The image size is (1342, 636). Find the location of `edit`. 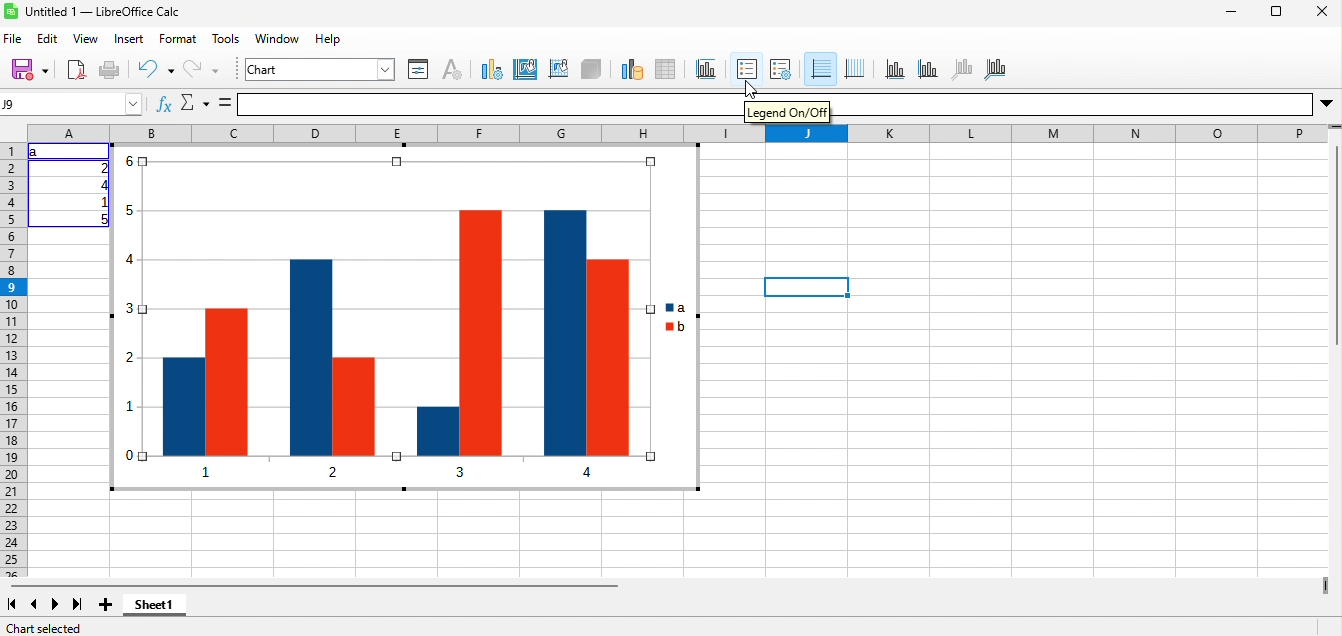

edit is located at coordinates (47, 40).